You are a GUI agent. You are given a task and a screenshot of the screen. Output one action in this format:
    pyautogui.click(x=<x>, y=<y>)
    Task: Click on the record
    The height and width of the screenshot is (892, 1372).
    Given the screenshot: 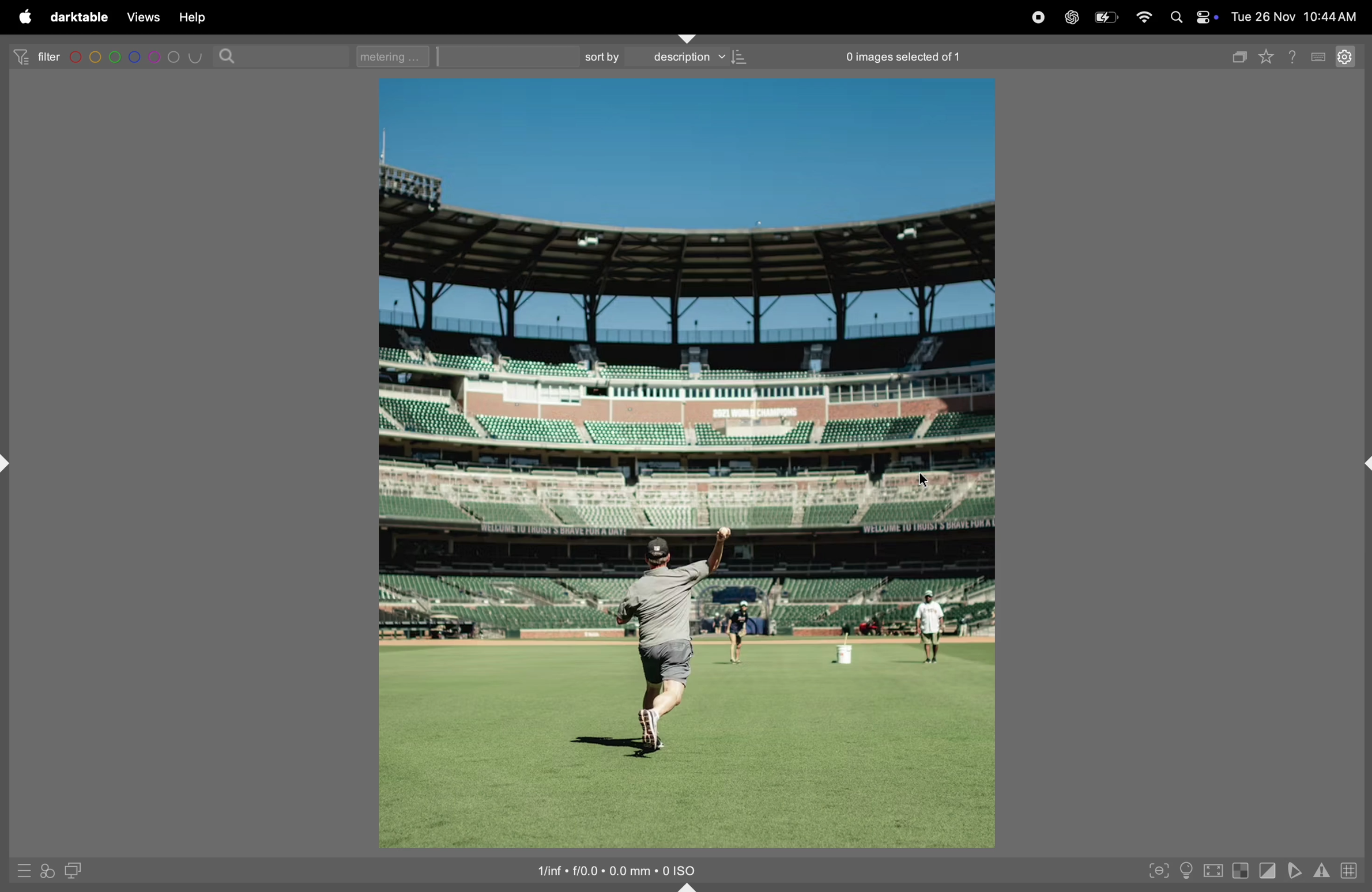 What is the action you would take?
    pyautogui.click(x=1032, y=17)
    